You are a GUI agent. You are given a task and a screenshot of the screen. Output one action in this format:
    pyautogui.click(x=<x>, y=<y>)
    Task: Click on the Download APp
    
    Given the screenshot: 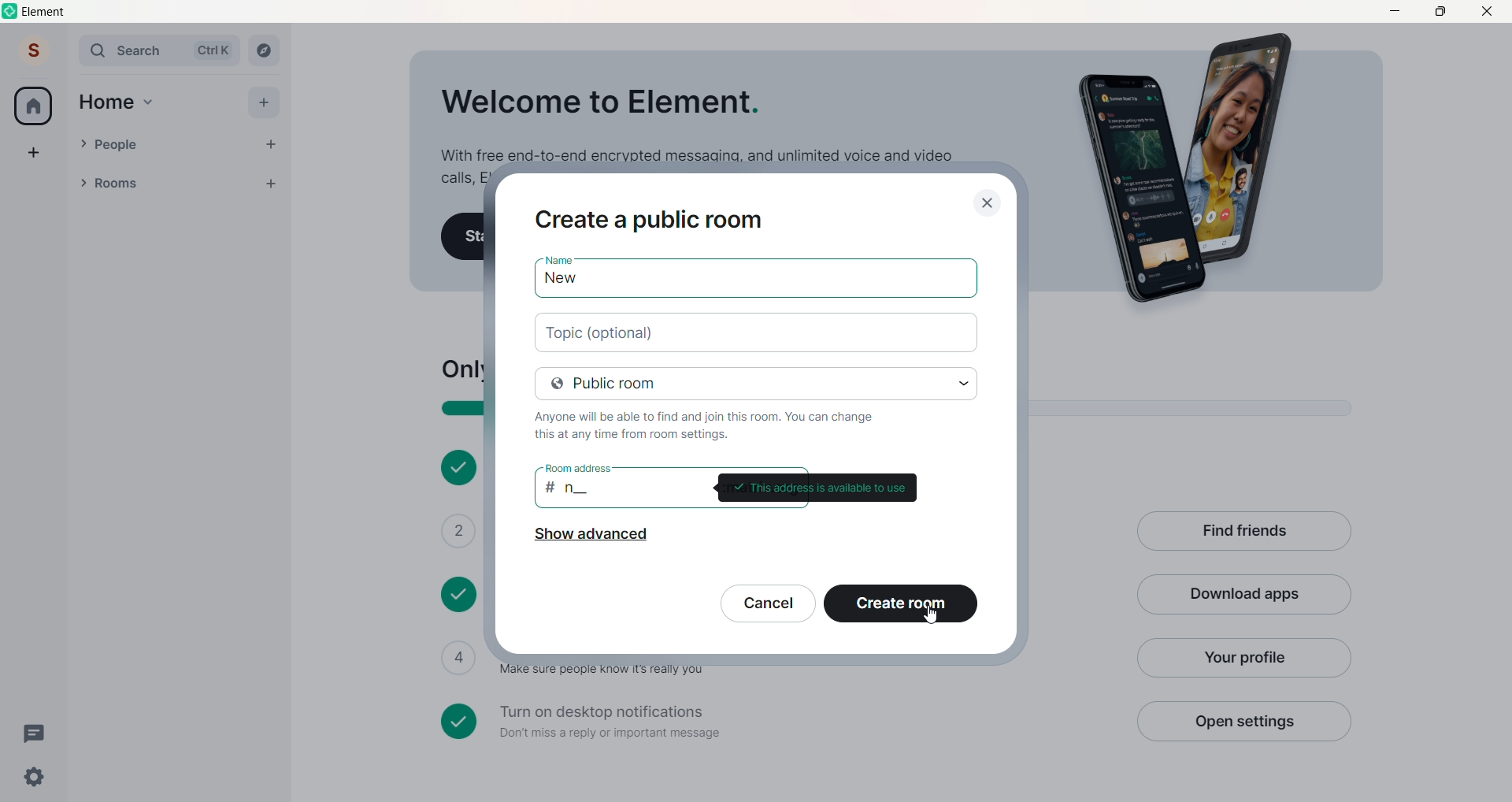 What is the action you would take?
    pyautogui.click(x=1244, y=596)
    